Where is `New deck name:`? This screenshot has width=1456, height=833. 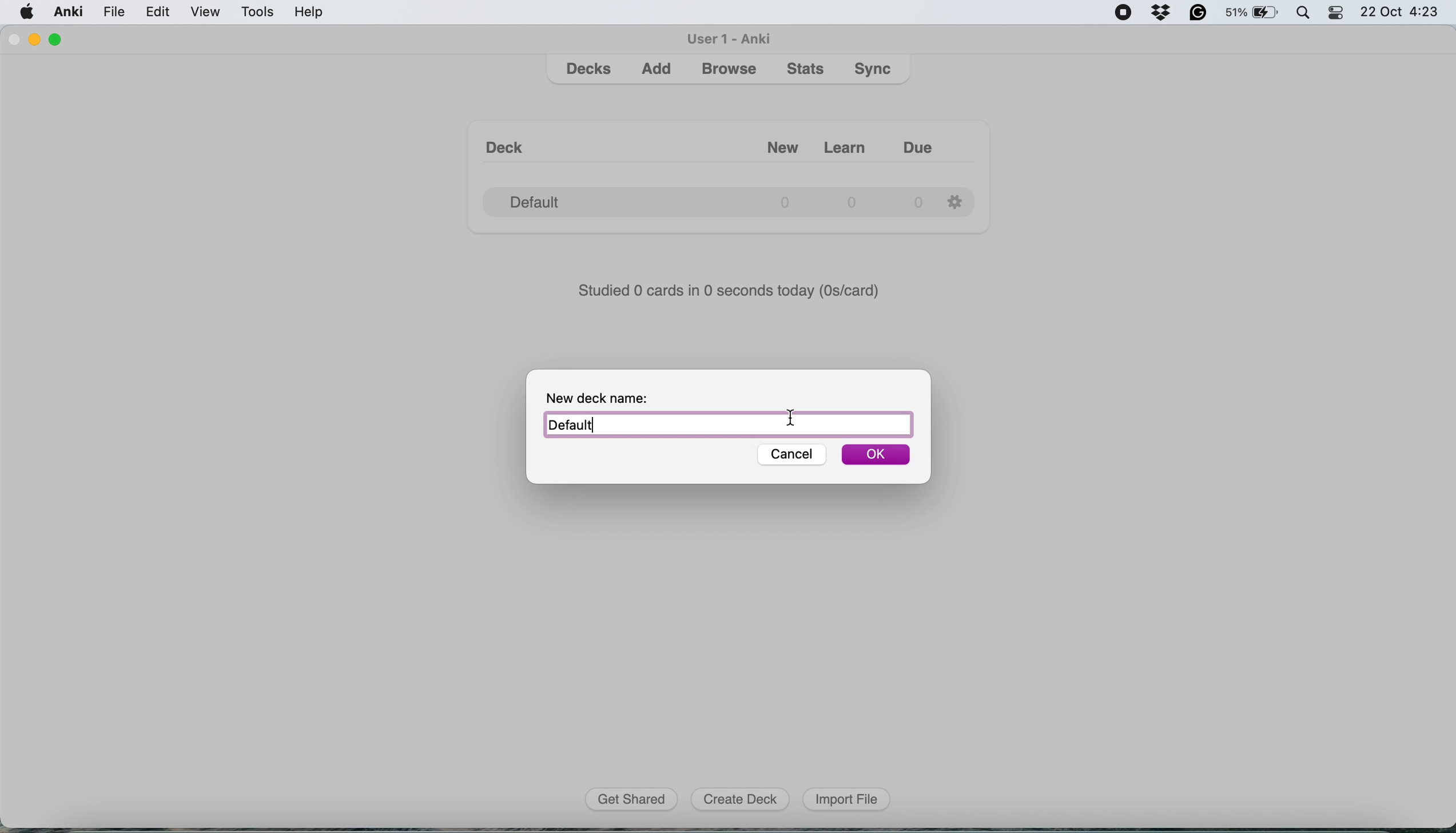 New deck name: is located at coordinates (609, 396).